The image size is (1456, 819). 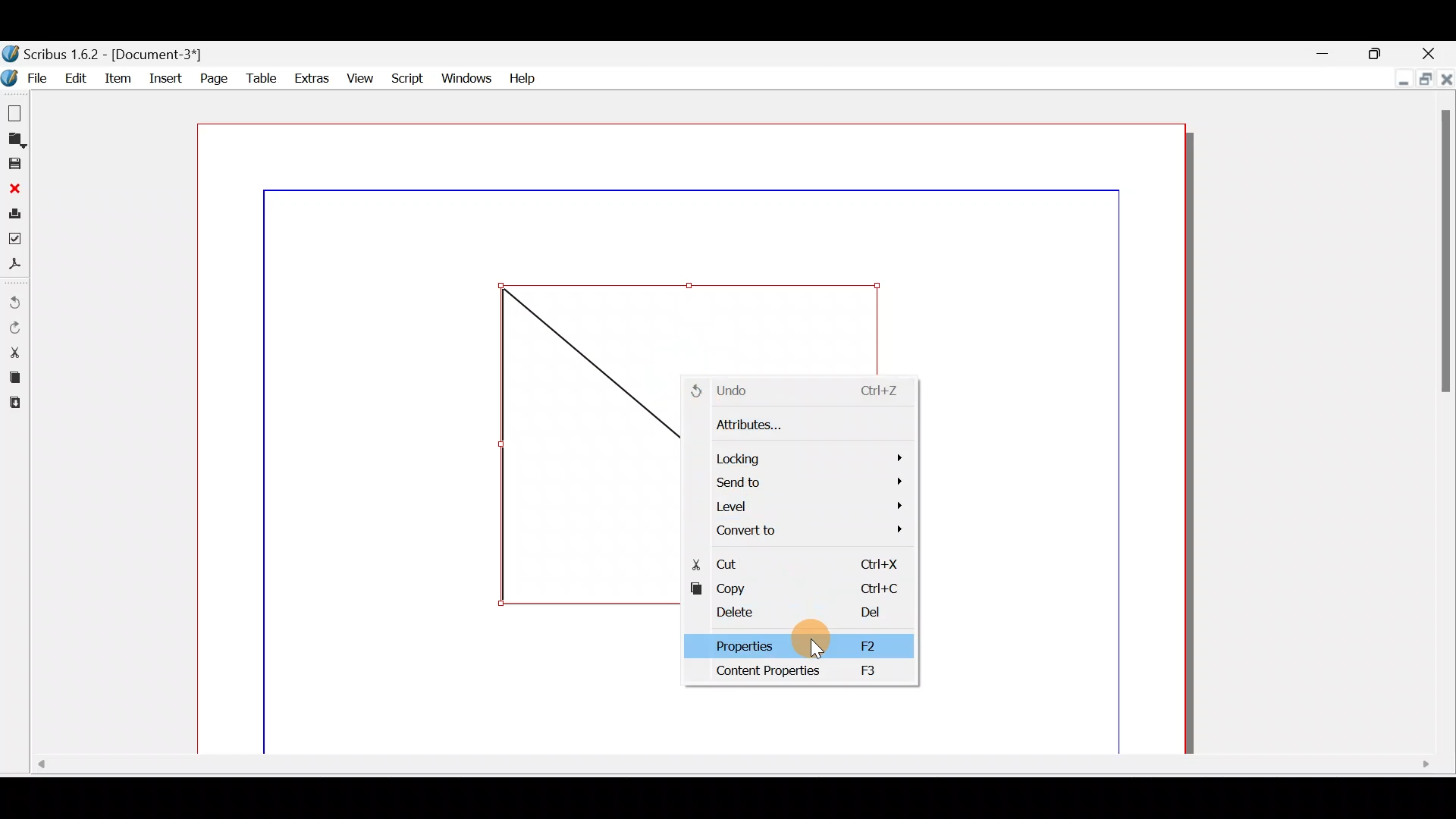 I want to click on Item, so click(x=118, y=81).